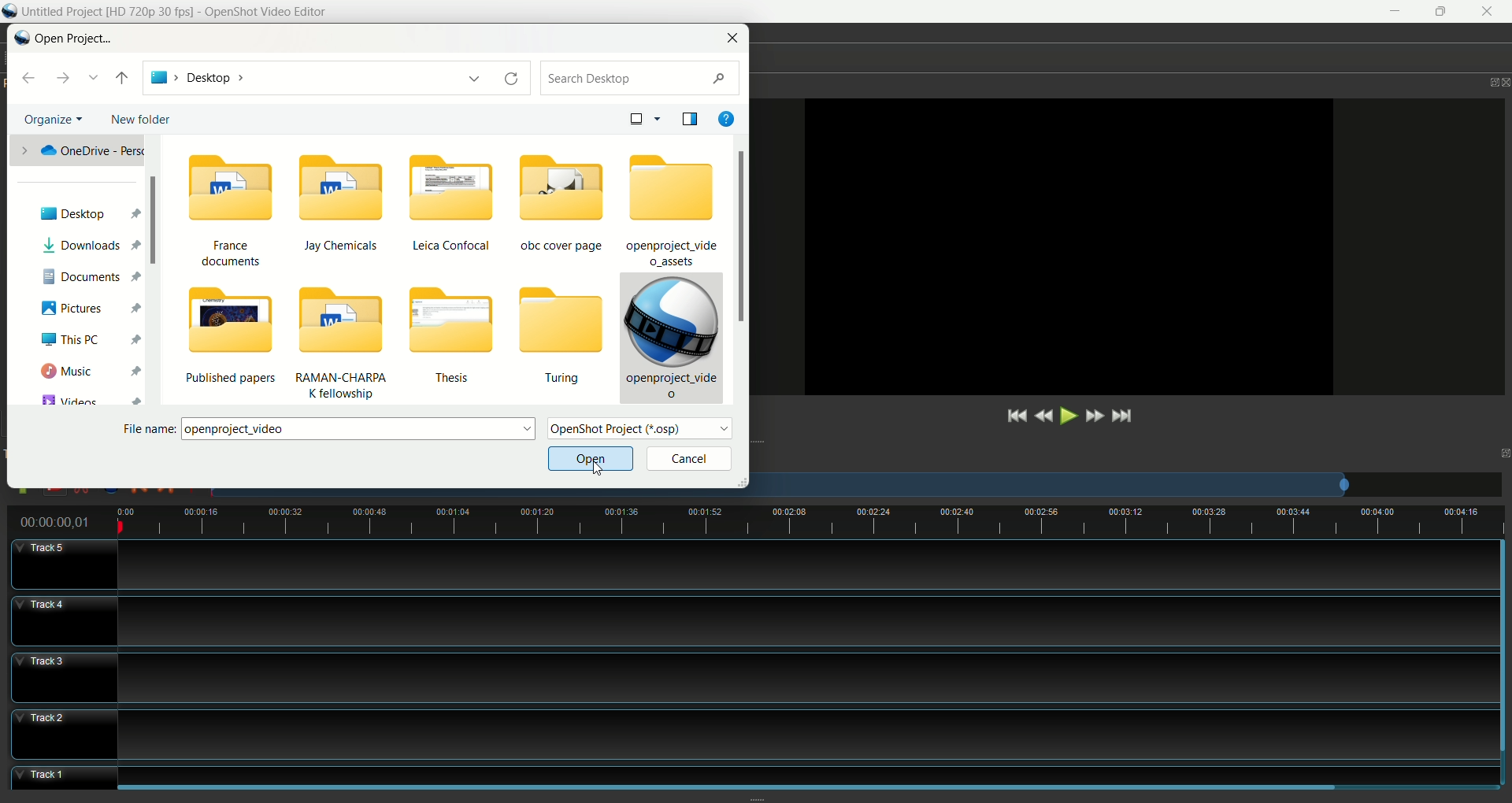 The image size is (1512, 803). What do you see at coordinates (91, 246) in the screenshot?
I see `downloads` at bounding box center [91, 246].